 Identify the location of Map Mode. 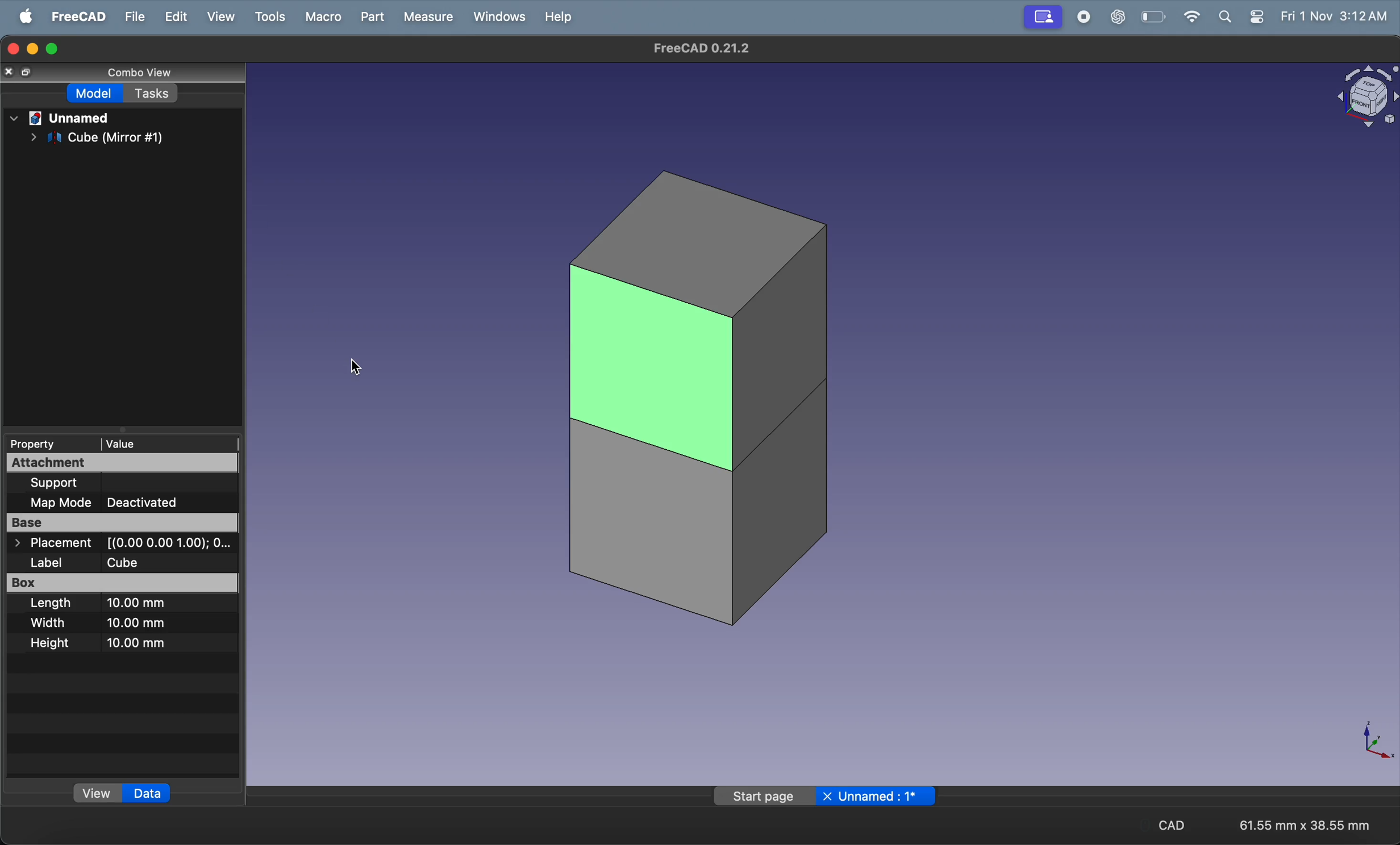
(53, 502).